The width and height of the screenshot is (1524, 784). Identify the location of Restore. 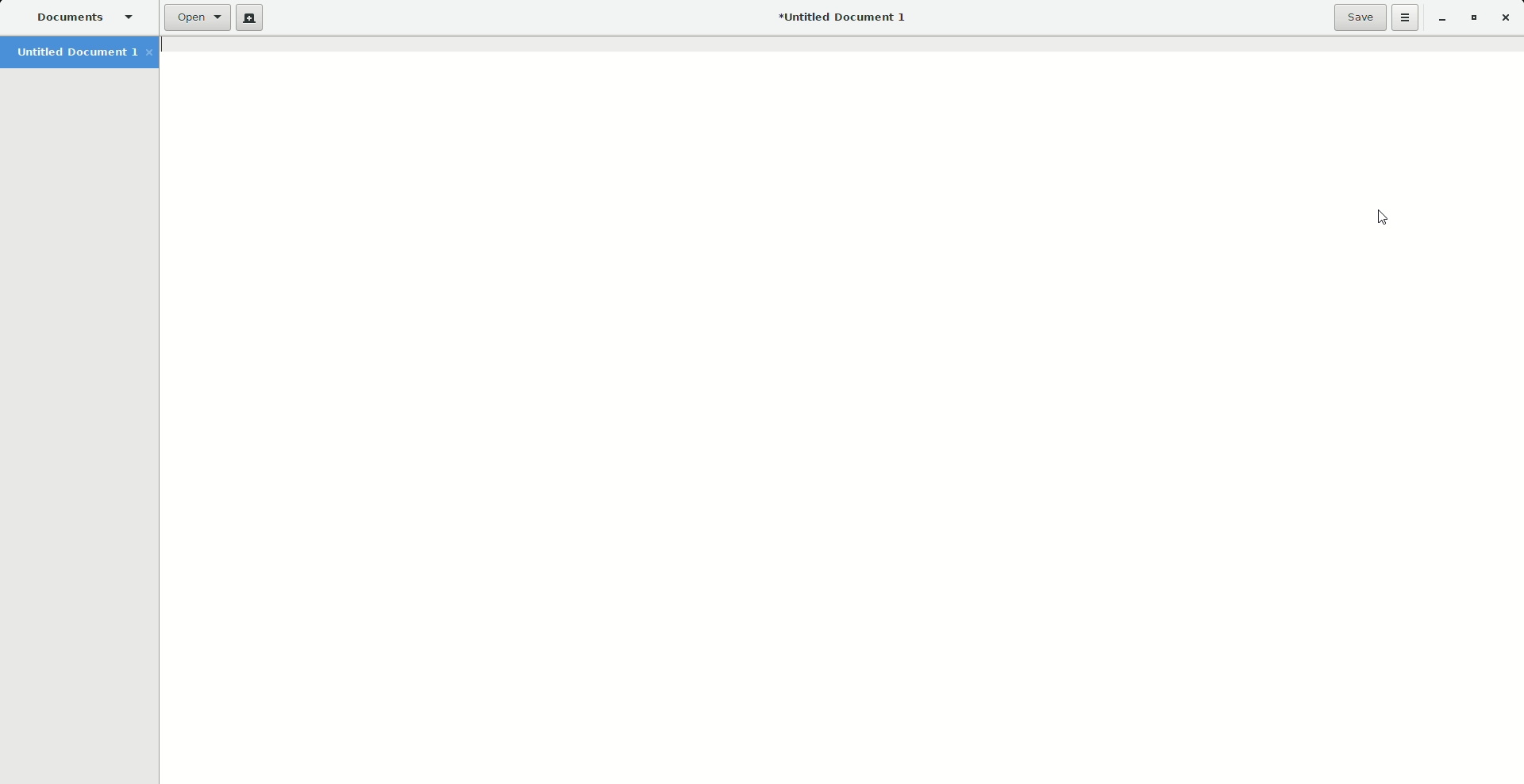
(1472, 18).